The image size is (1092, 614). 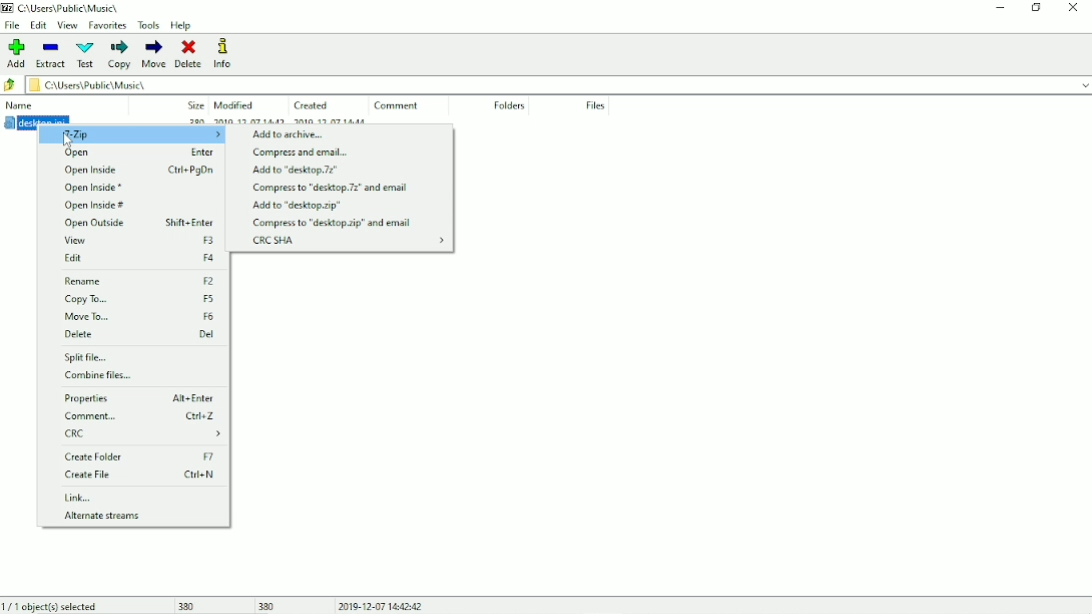 I want to click on Extract, so click(x=50, y=55).